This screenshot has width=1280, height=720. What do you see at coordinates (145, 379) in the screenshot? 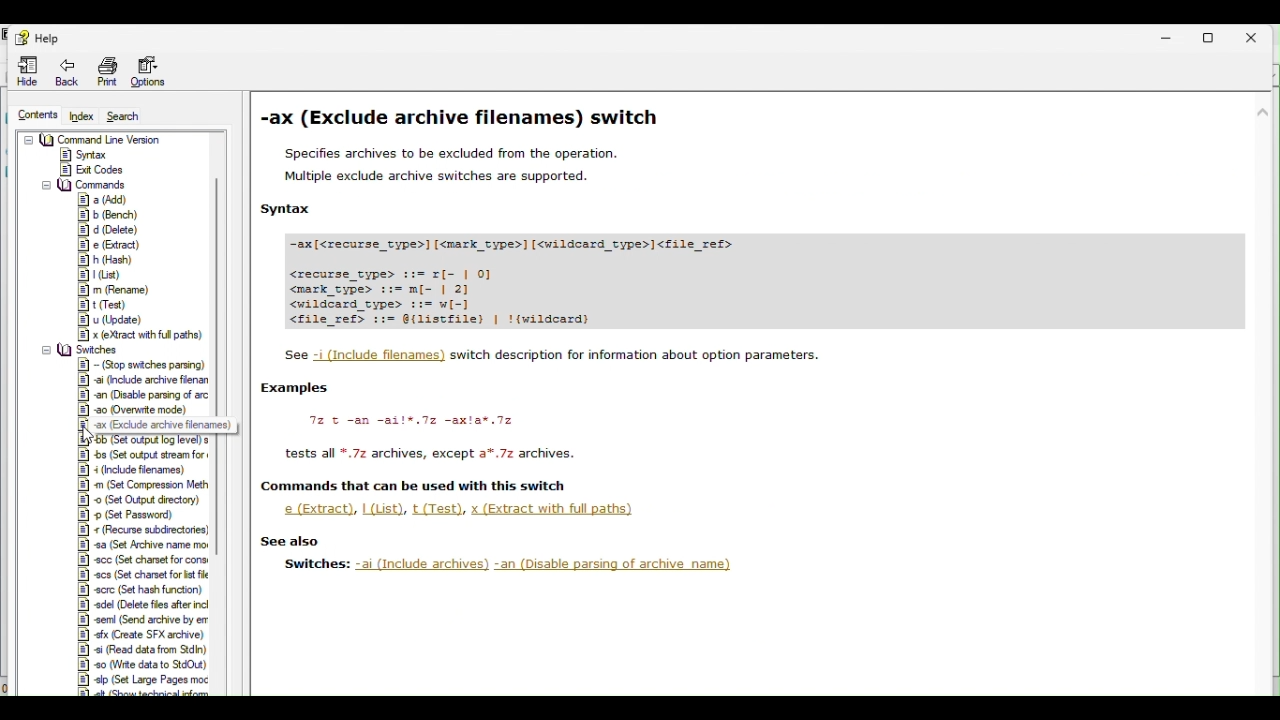
I see `|#] ai (include archive filenan` at bounding box center [145, 379].